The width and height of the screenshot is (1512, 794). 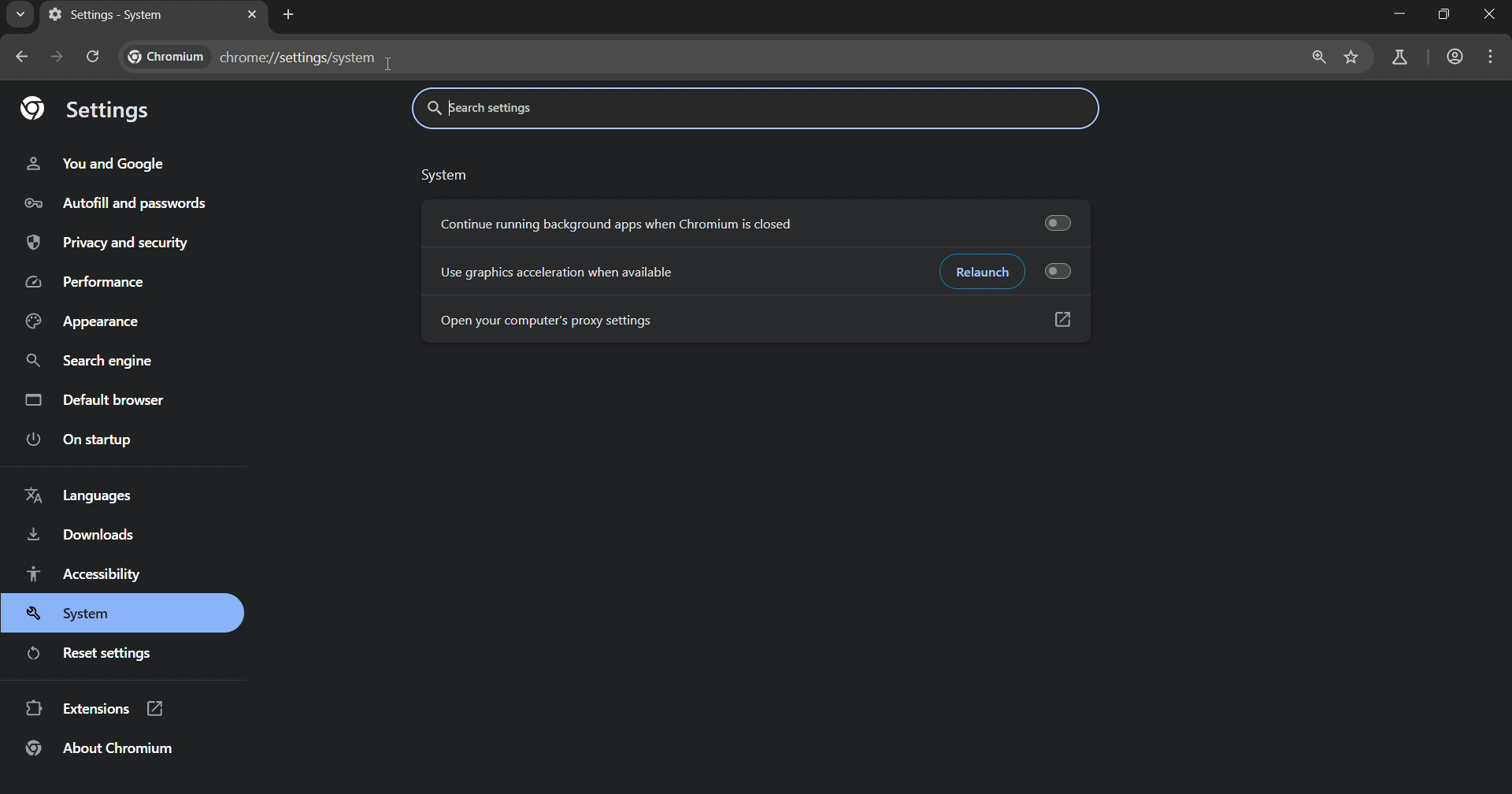 I want to click on close tab, so click(x=250, y=16).